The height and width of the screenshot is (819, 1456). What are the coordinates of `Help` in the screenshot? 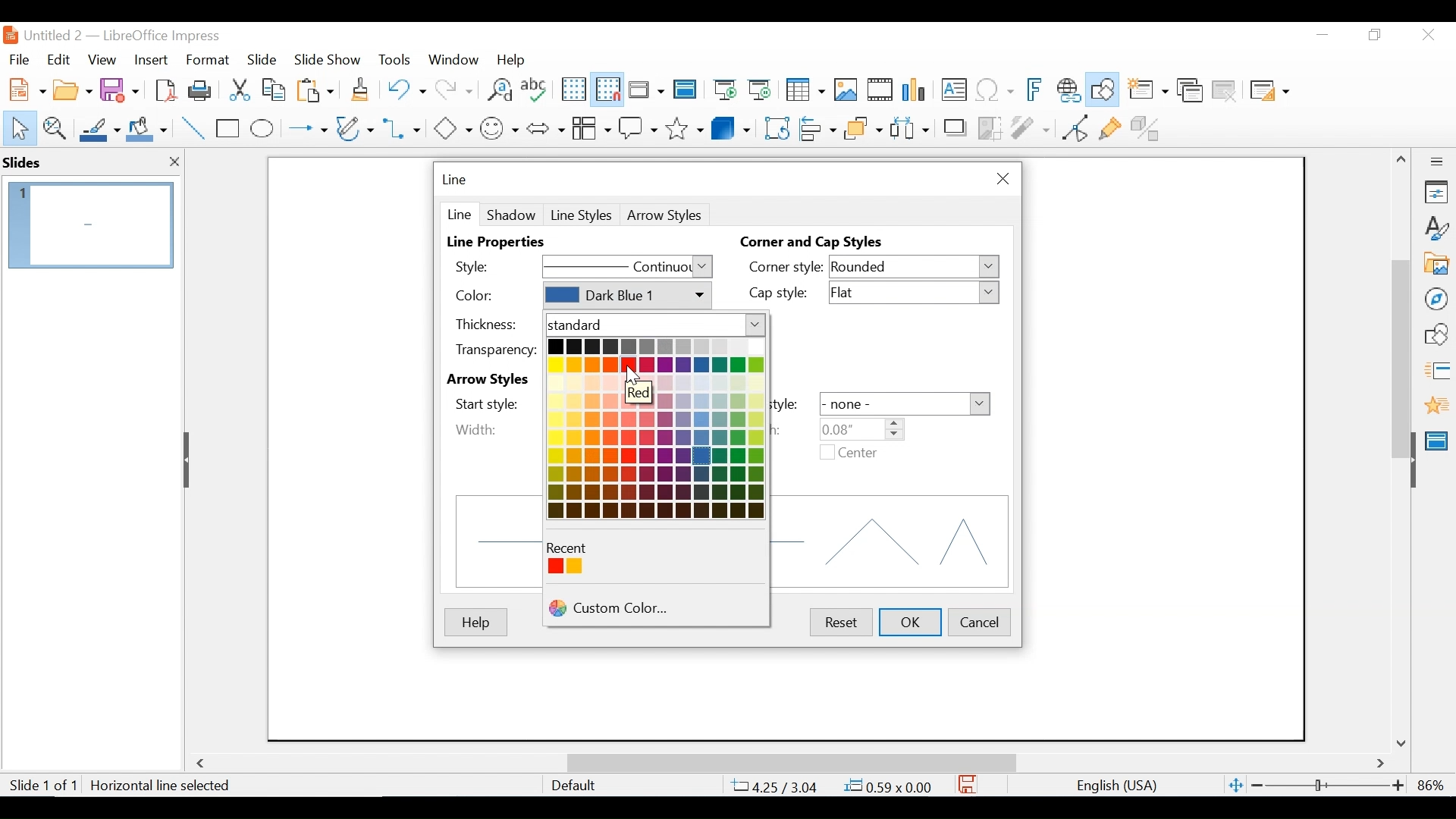 It's located at (475, 623).